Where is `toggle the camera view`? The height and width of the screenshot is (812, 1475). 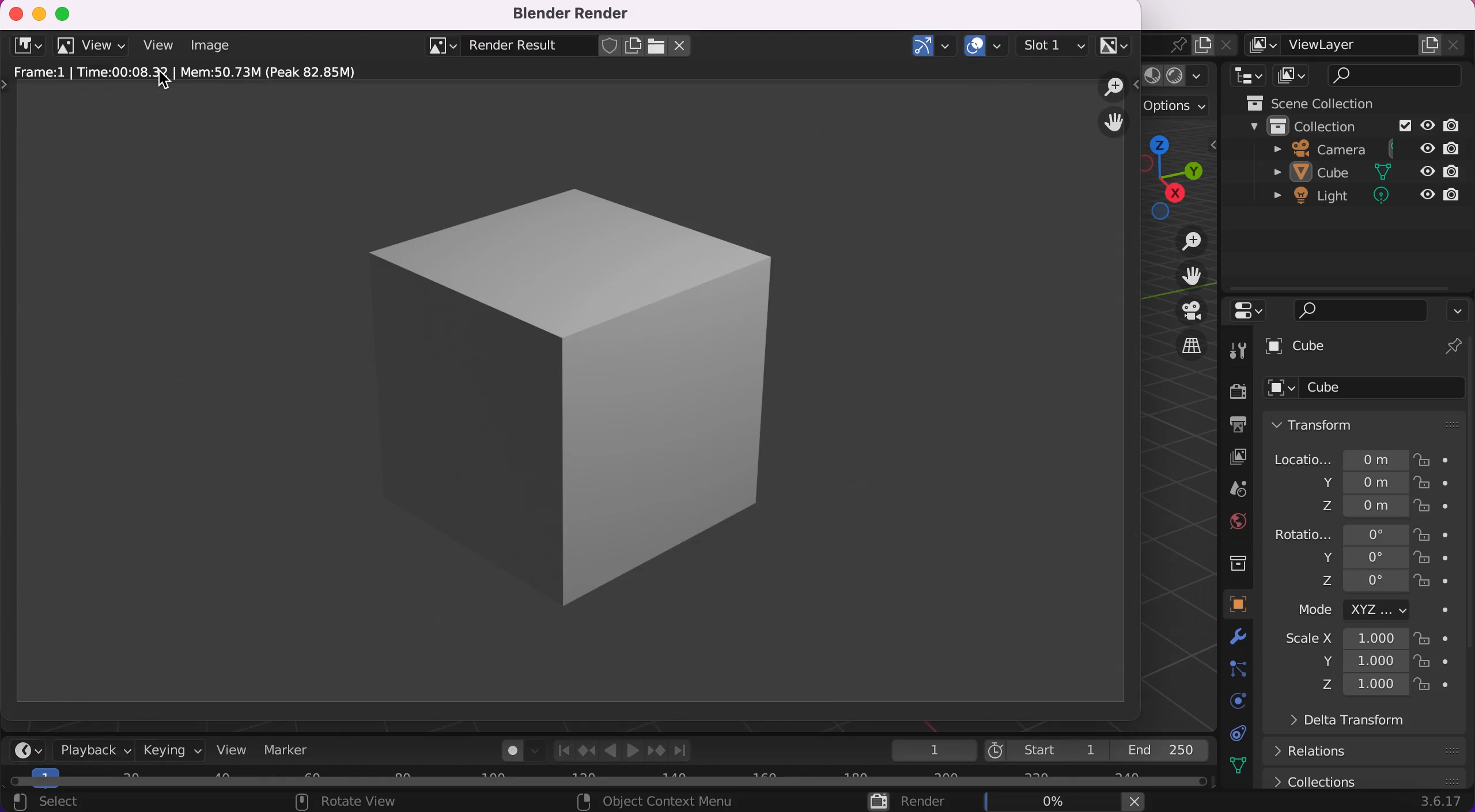
toggle the camera view is located at coordinates (1189, 311).